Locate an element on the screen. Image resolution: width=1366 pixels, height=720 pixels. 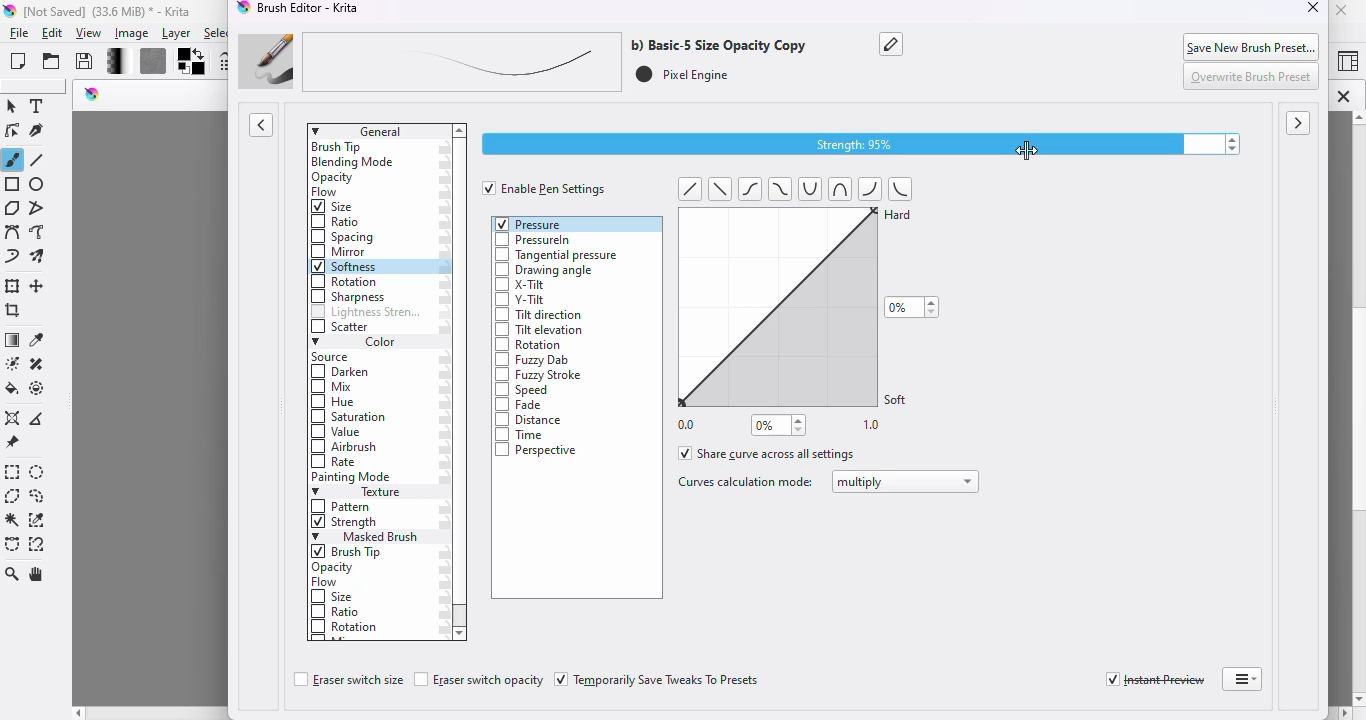
brush tip is located at coordinates (350, 552).